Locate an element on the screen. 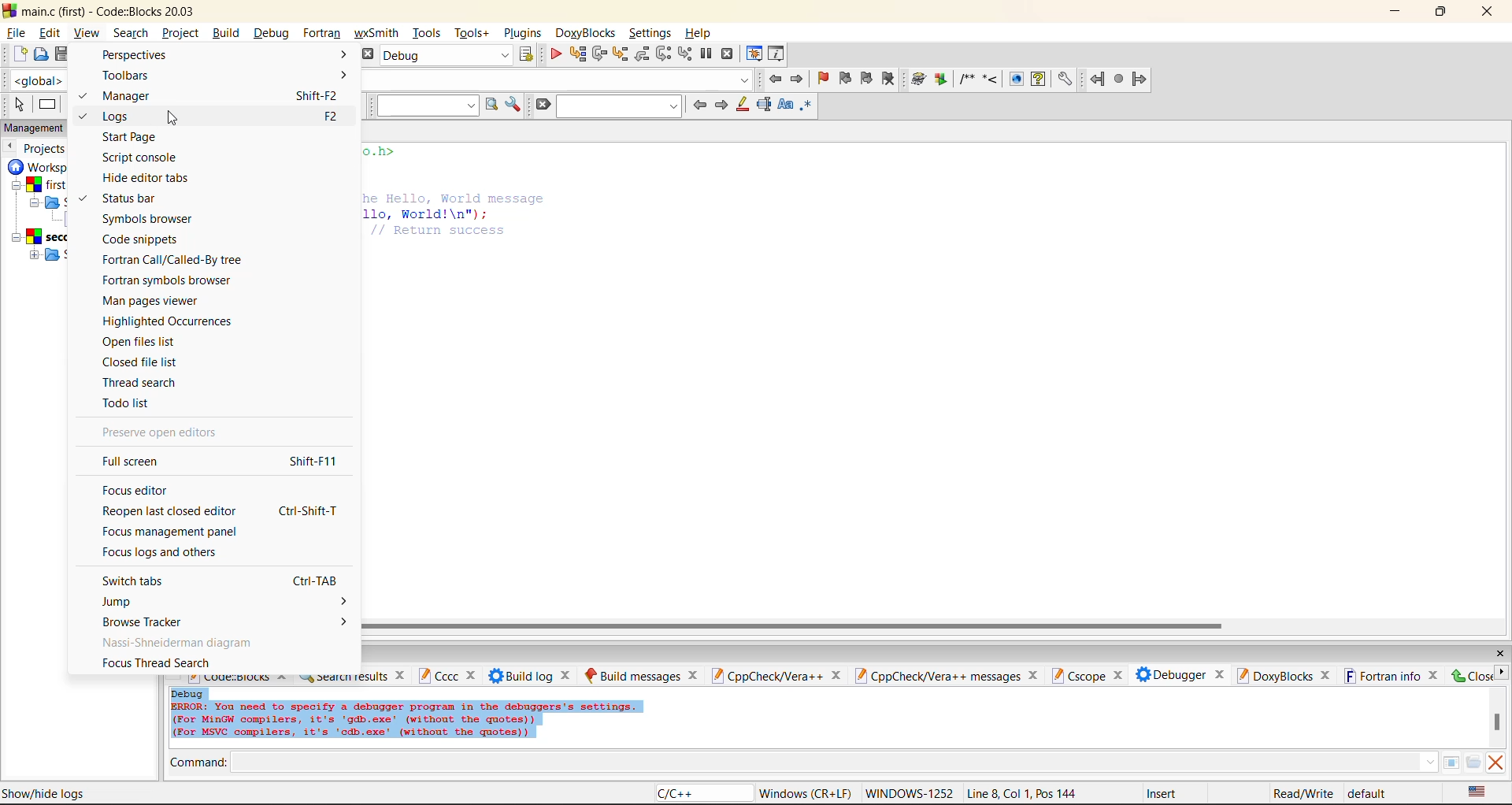  instruction is located at coordinates (50, 106).